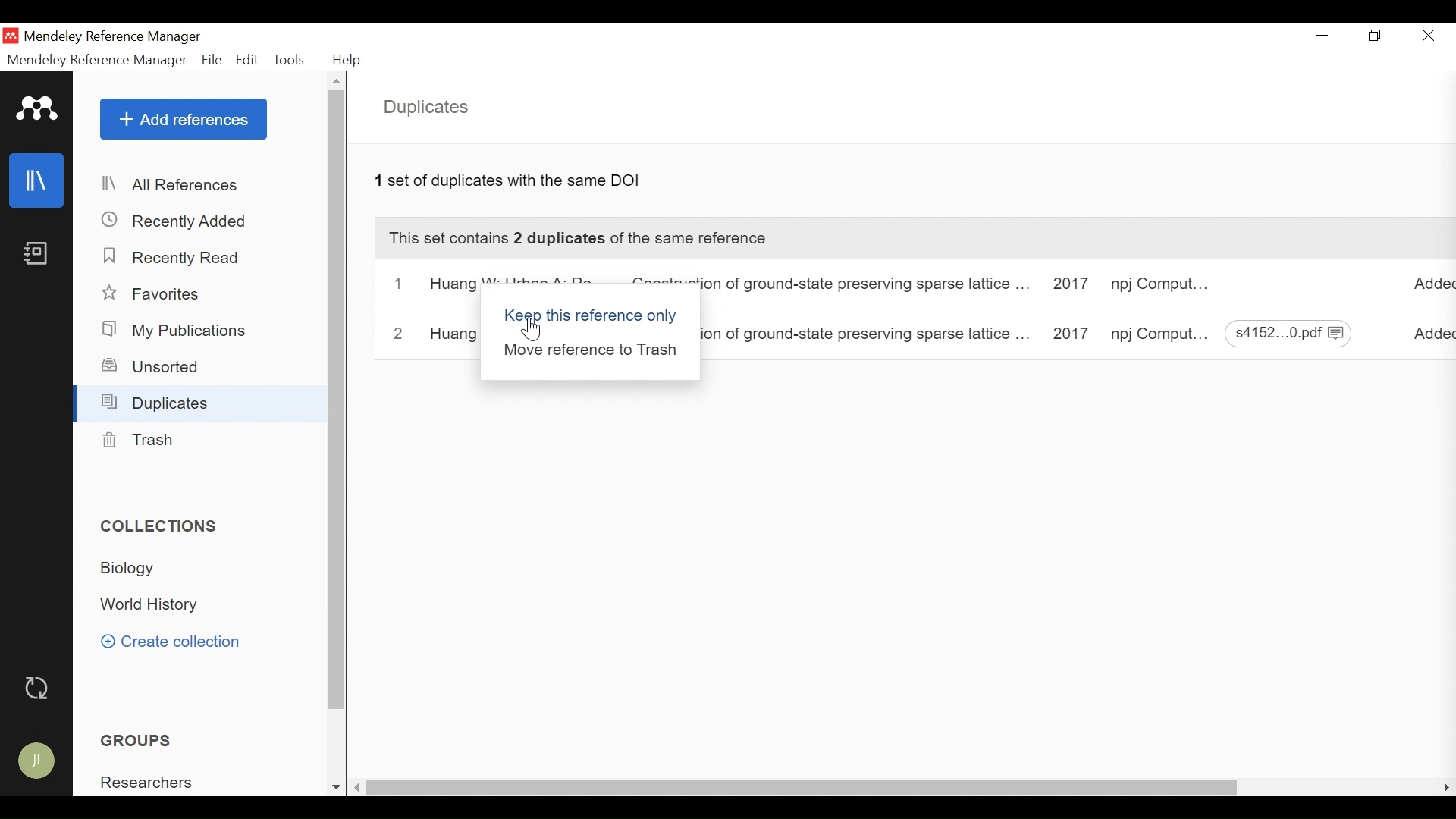  I want to click on 1, so click(400, 285).